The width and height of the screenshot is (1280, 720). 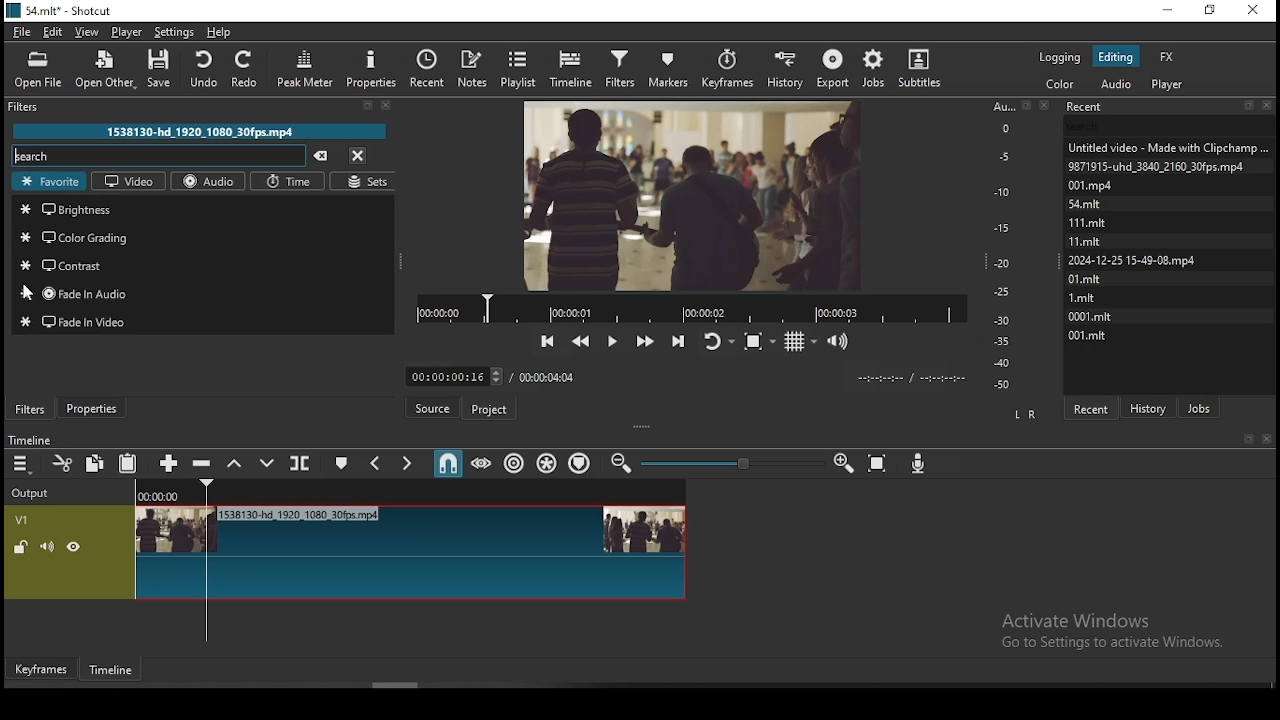 What do you see at coordinates (357, 155) in the screenshot?
I see `close menu` at bounding box center [357, 155].